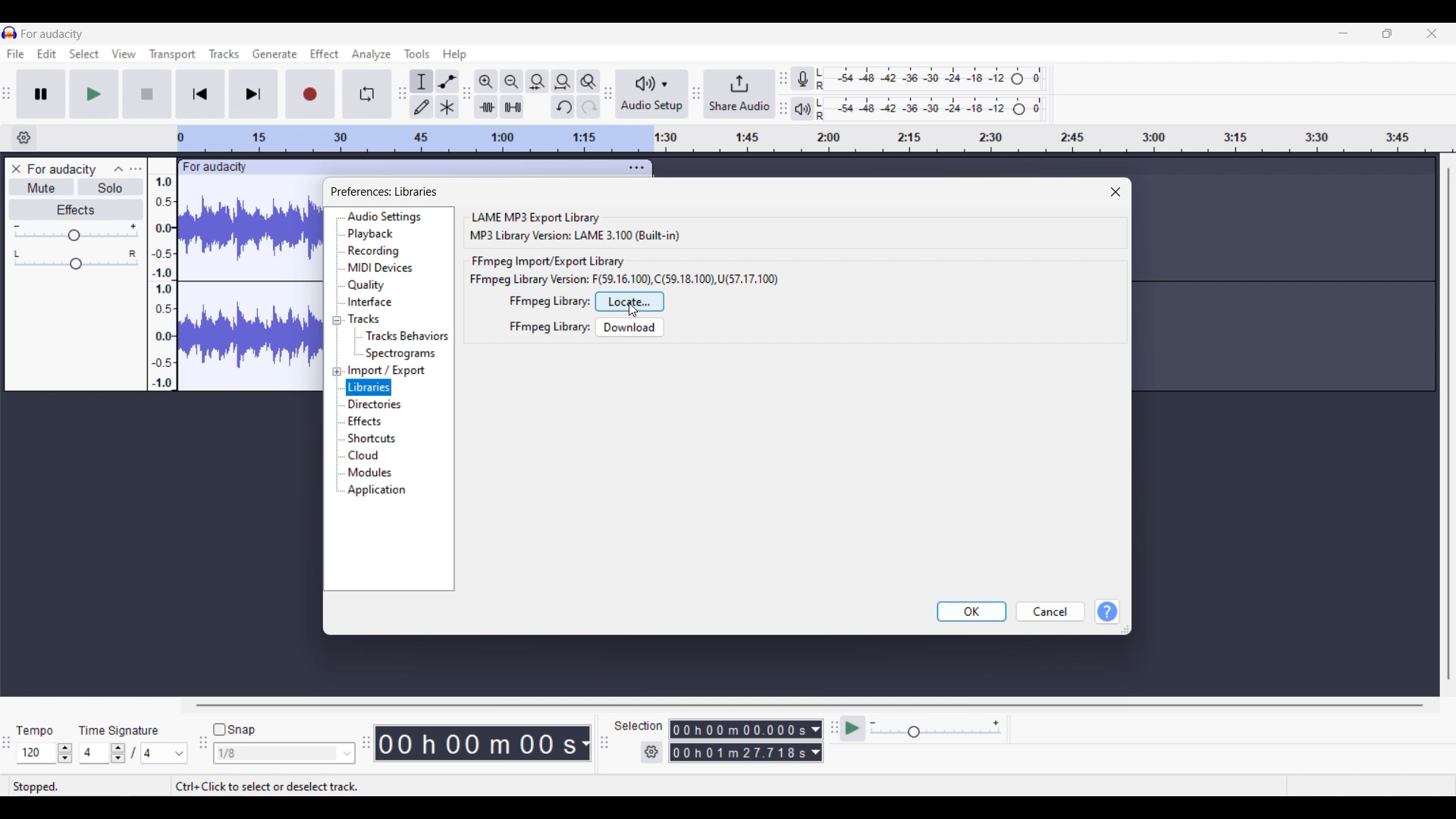 The width and height of the screenshot is (1456, 819). I want to click on Edit menu, so click(47, 54).